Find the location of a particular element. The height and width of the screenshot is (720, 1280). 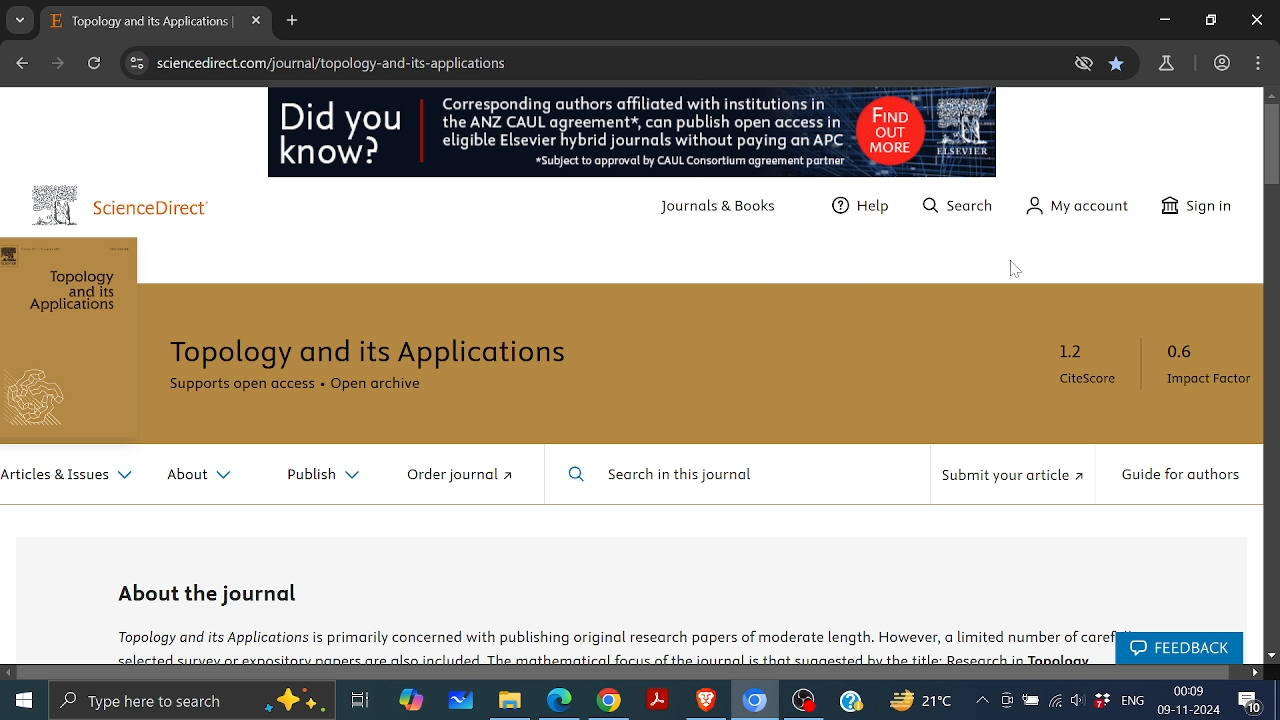

feedback is located at coordinates (1177, 649).